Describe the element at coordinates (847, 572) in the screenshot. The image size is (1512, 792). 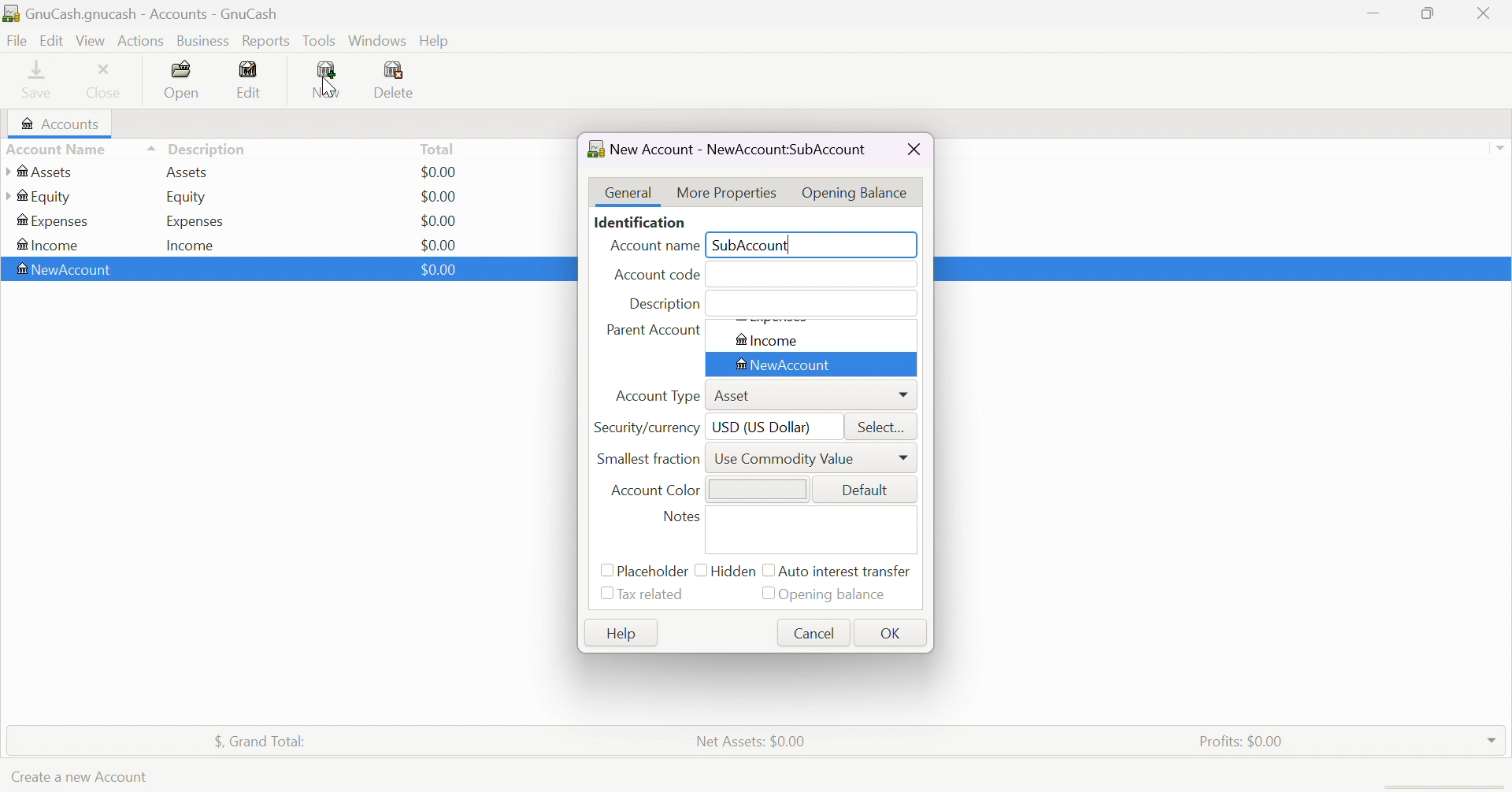
I see `Auto interest transfer` at that location.